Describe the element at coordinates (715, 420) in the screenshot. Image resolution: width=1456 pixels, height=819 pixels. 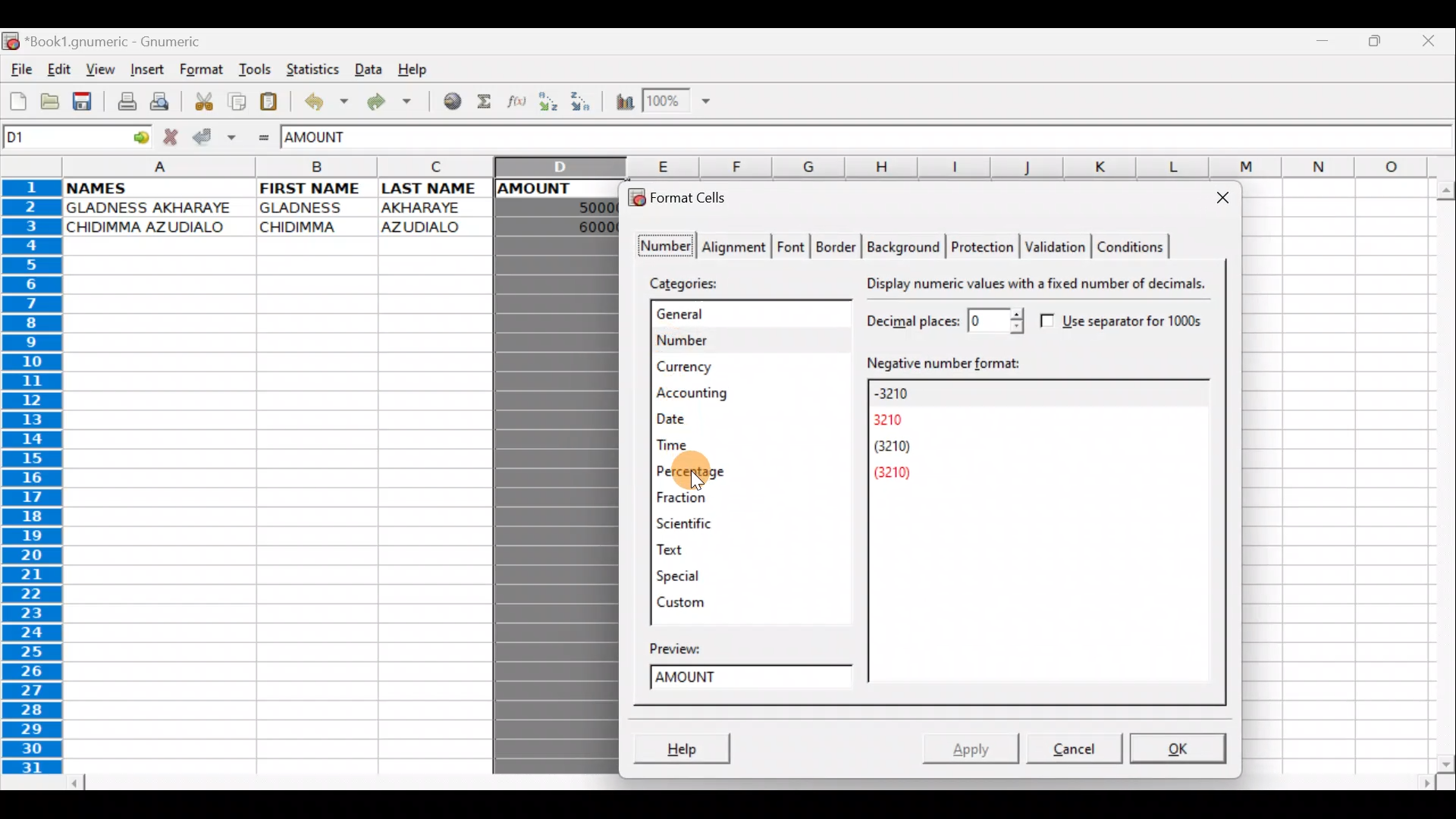
I see `Date` at that location.